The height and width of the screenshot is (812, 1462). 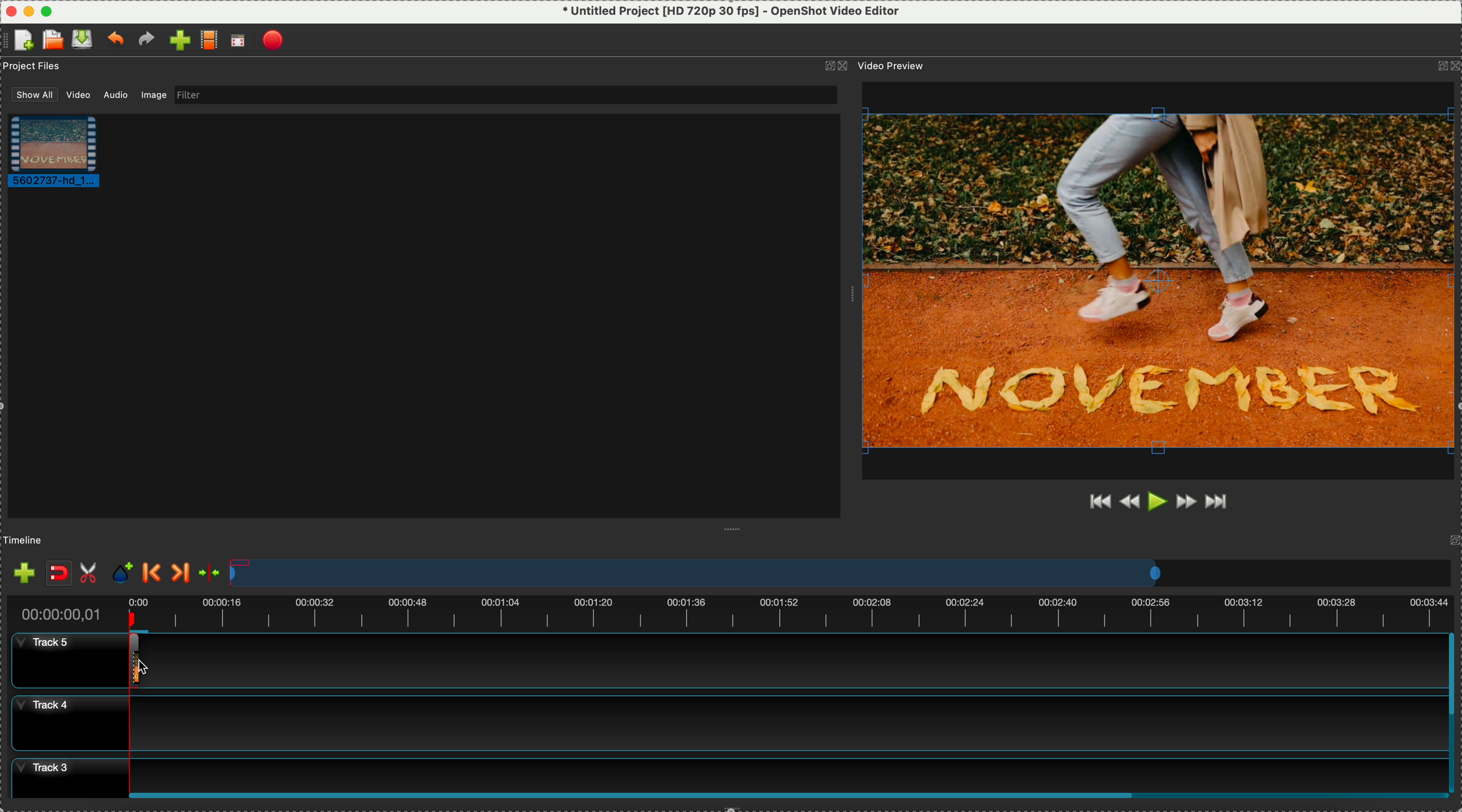 I want to click on timeline duration, so click(x=728, y=610).